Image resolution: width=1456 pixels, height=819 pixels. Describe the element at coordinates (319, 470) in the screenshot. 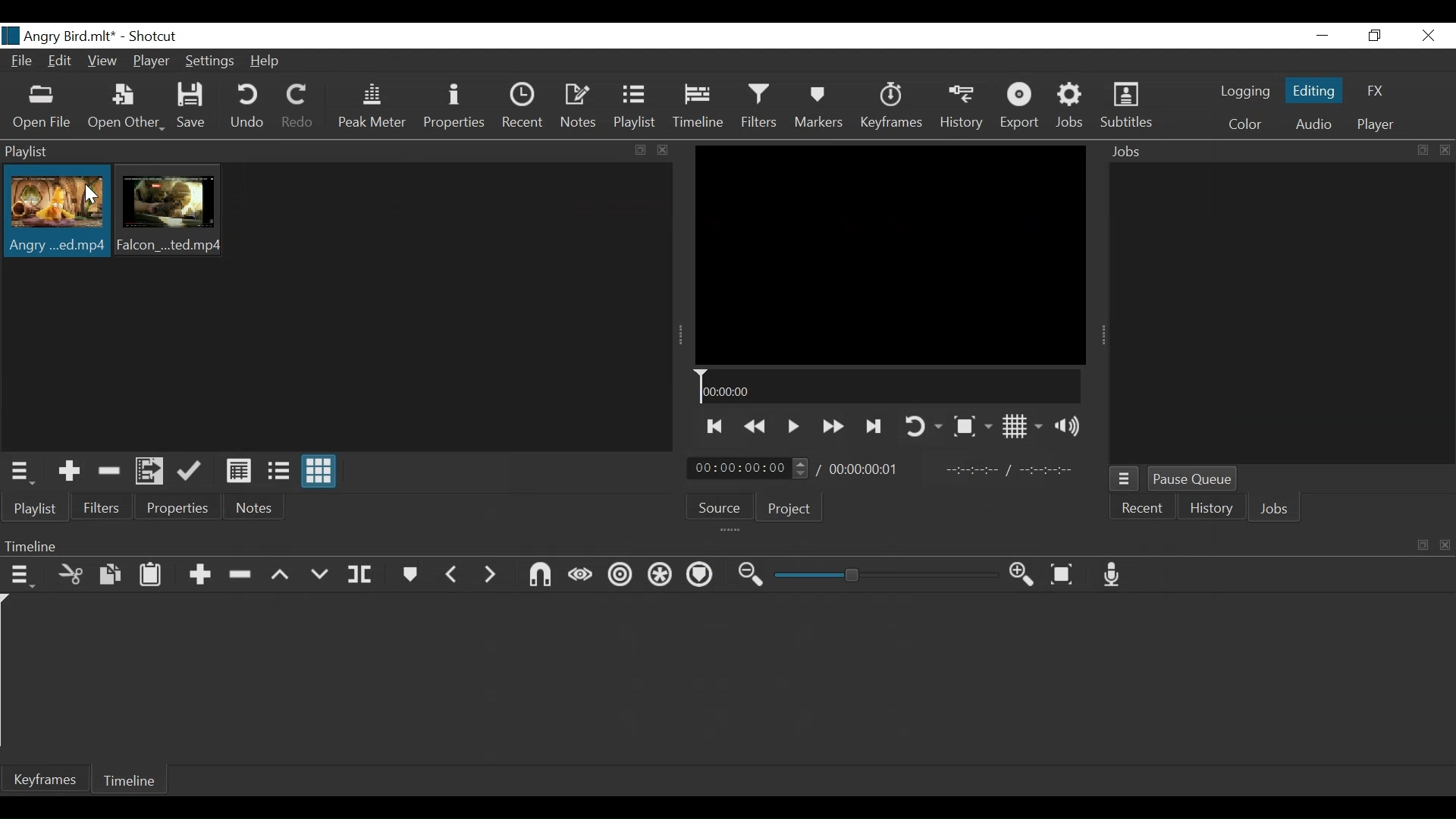

I see `View as icons` at that location.